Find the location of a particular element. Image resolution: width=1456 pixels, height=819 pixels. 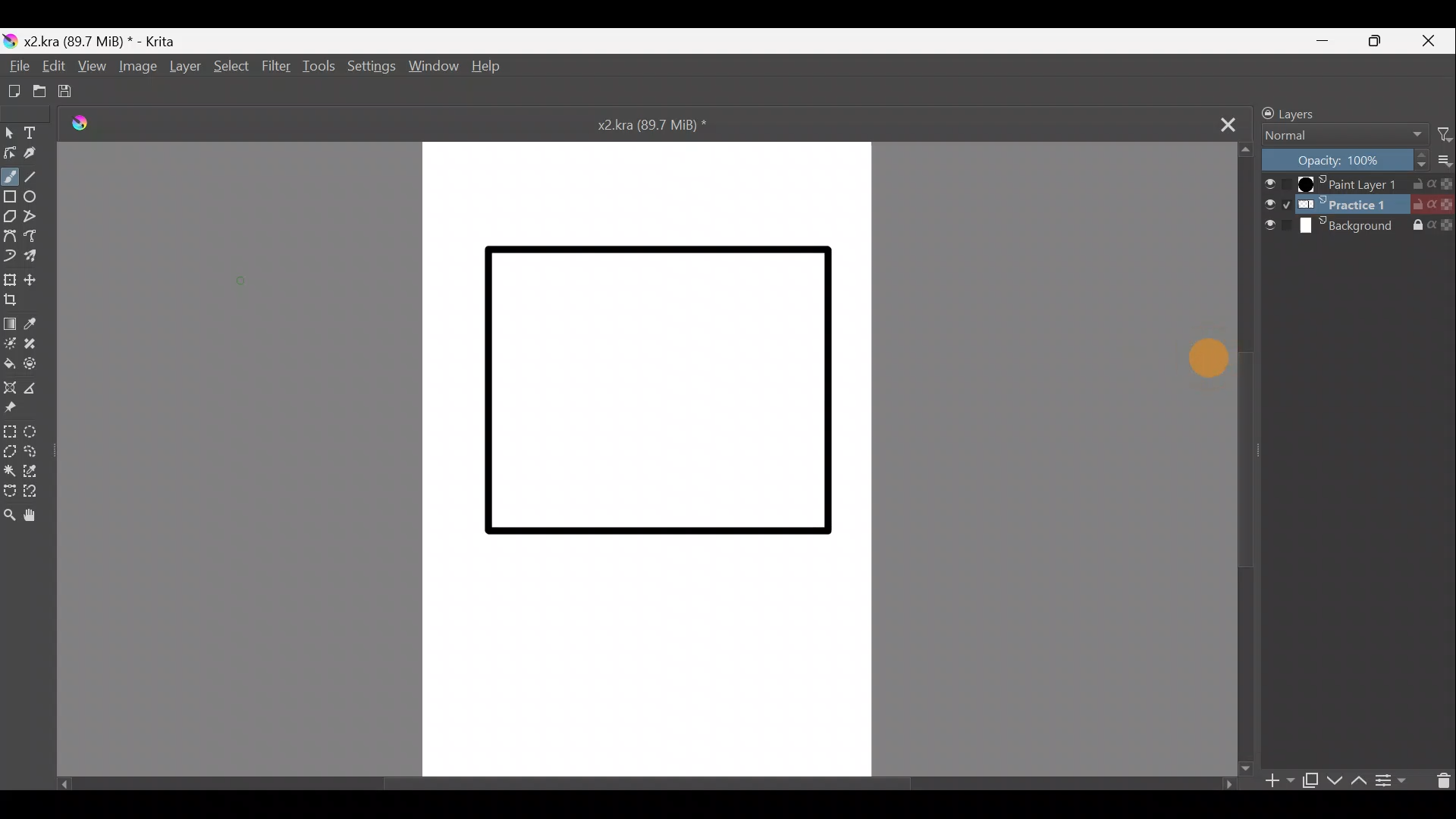

Edit shapes tool is located at coordinates (9, 153).